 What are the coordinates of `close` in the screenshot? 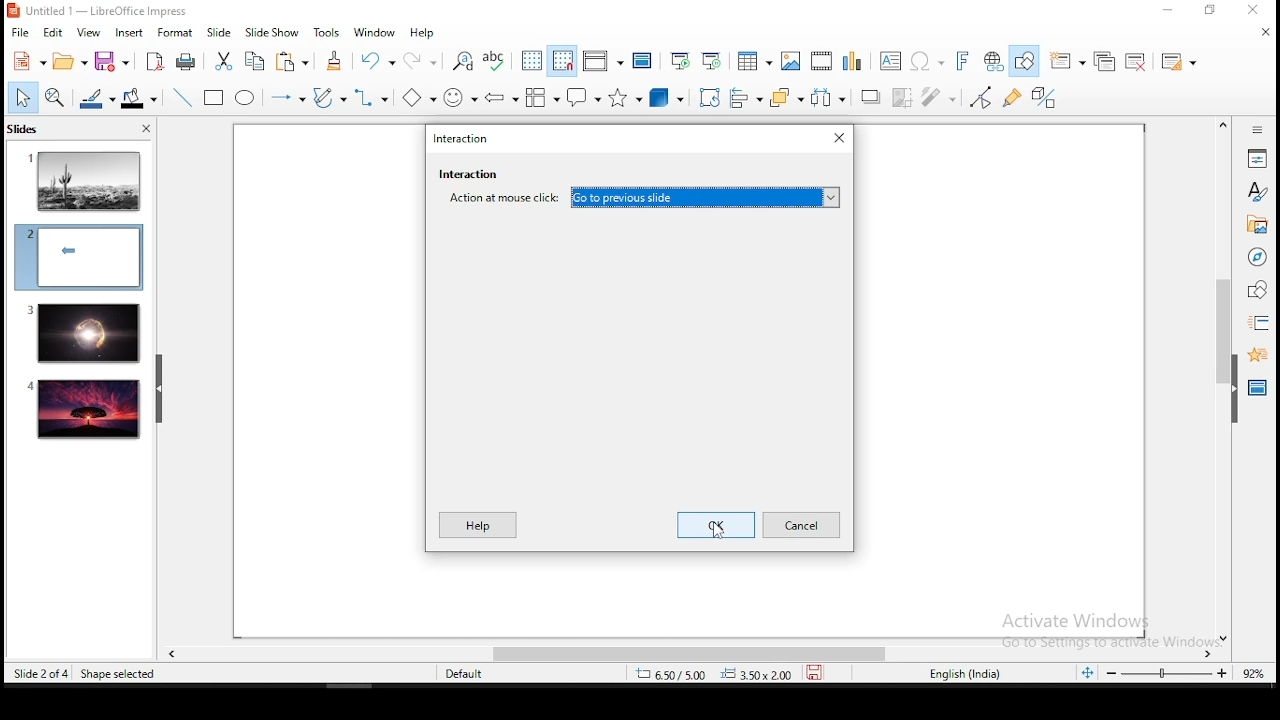 It's located at (144, 131).